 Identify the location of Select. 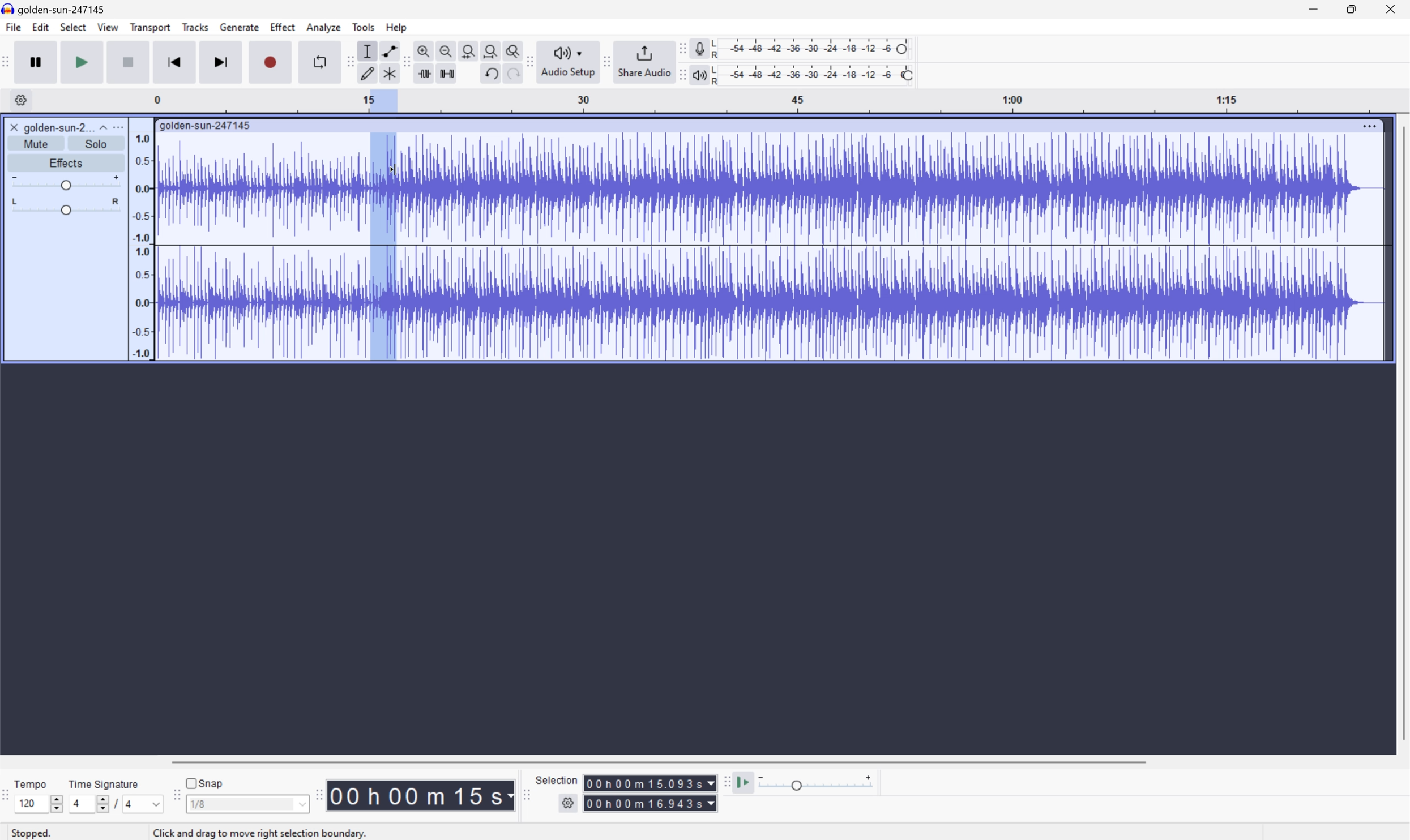
(73, 28).